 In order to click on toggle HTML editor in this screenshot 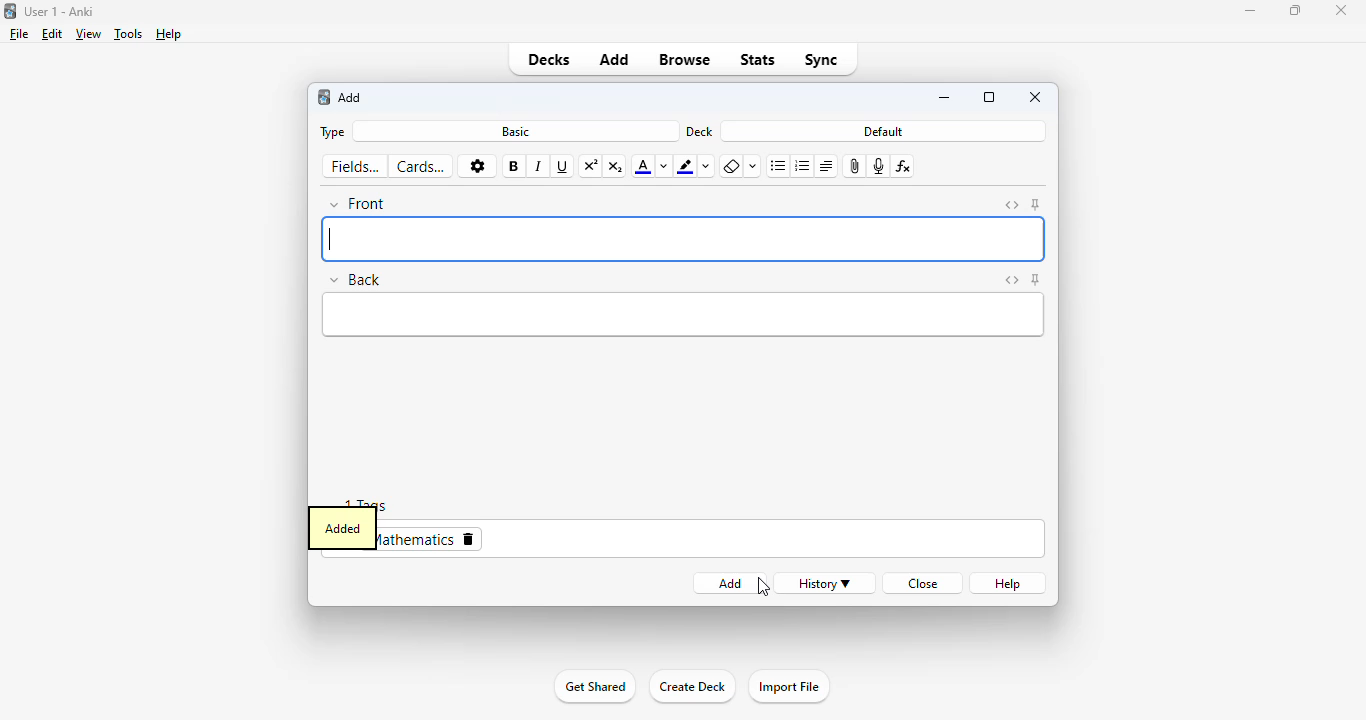, I will do `click(1010, 280)`.